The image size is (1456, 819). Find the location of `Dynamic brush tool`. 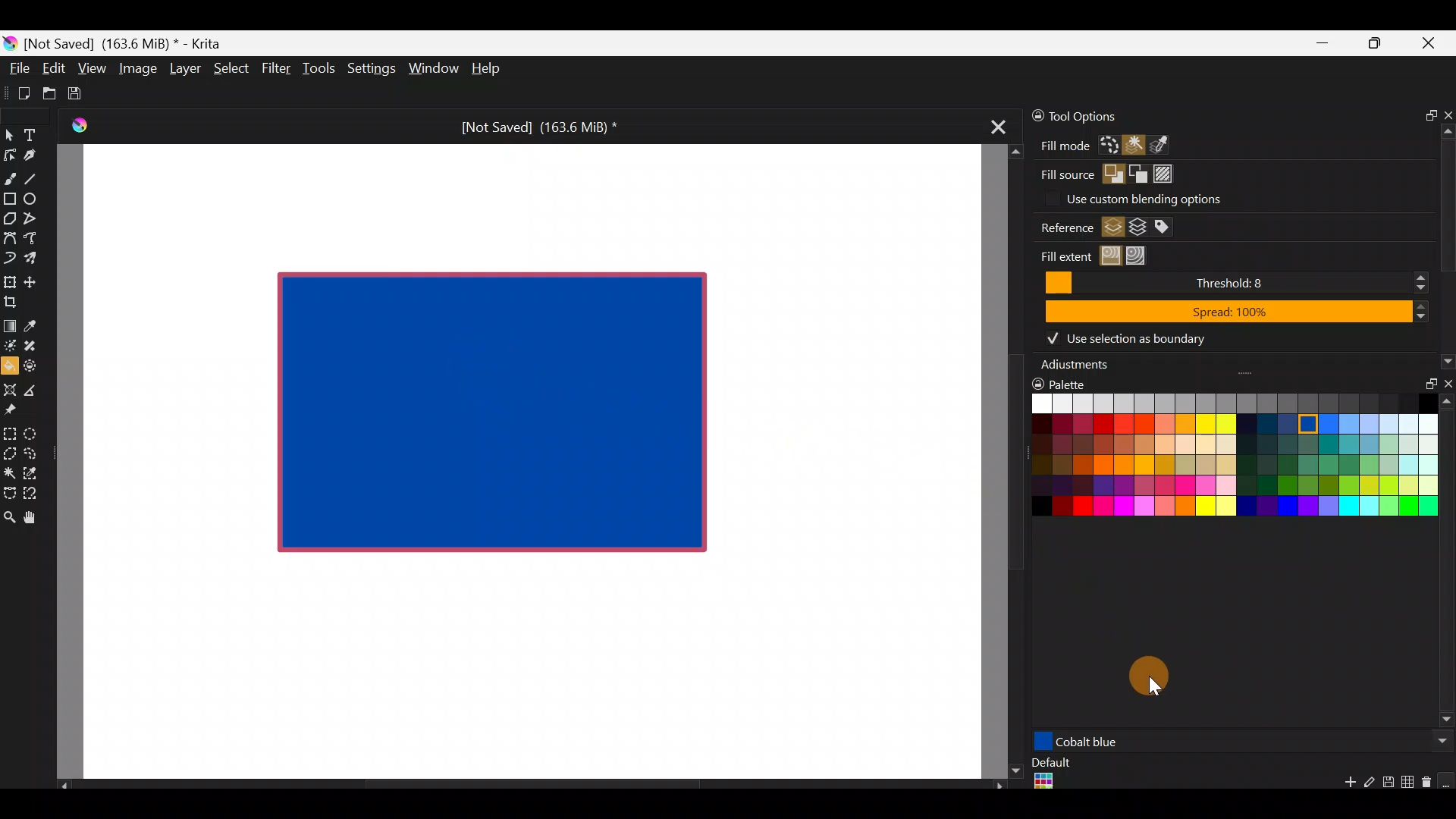

Dynamic brush tool is located at coordinates (9, 257).